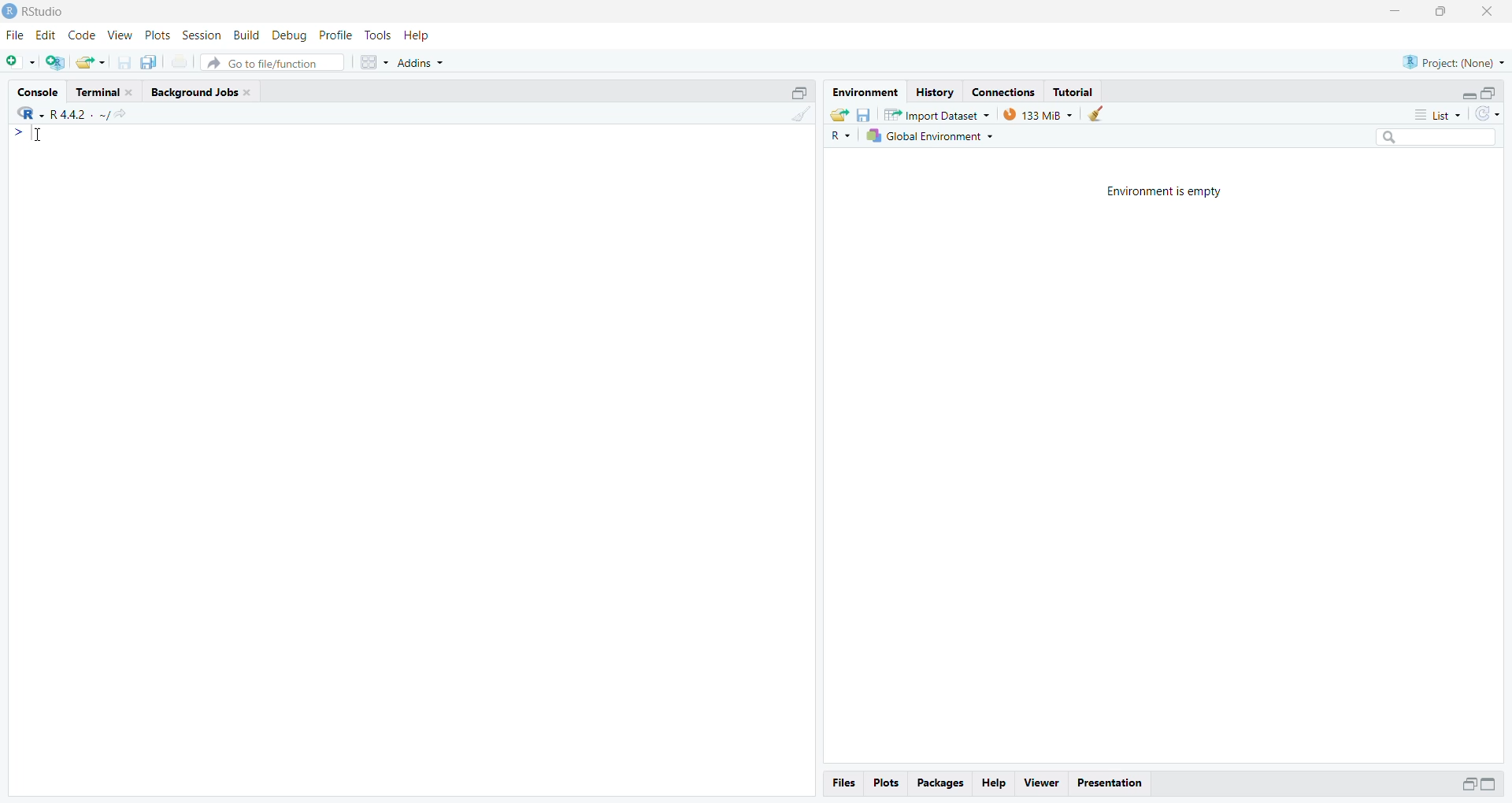  What do you see at coordinates (47, 37) in the screenshot?
I see `Edit` at bounding box center [47, 37].